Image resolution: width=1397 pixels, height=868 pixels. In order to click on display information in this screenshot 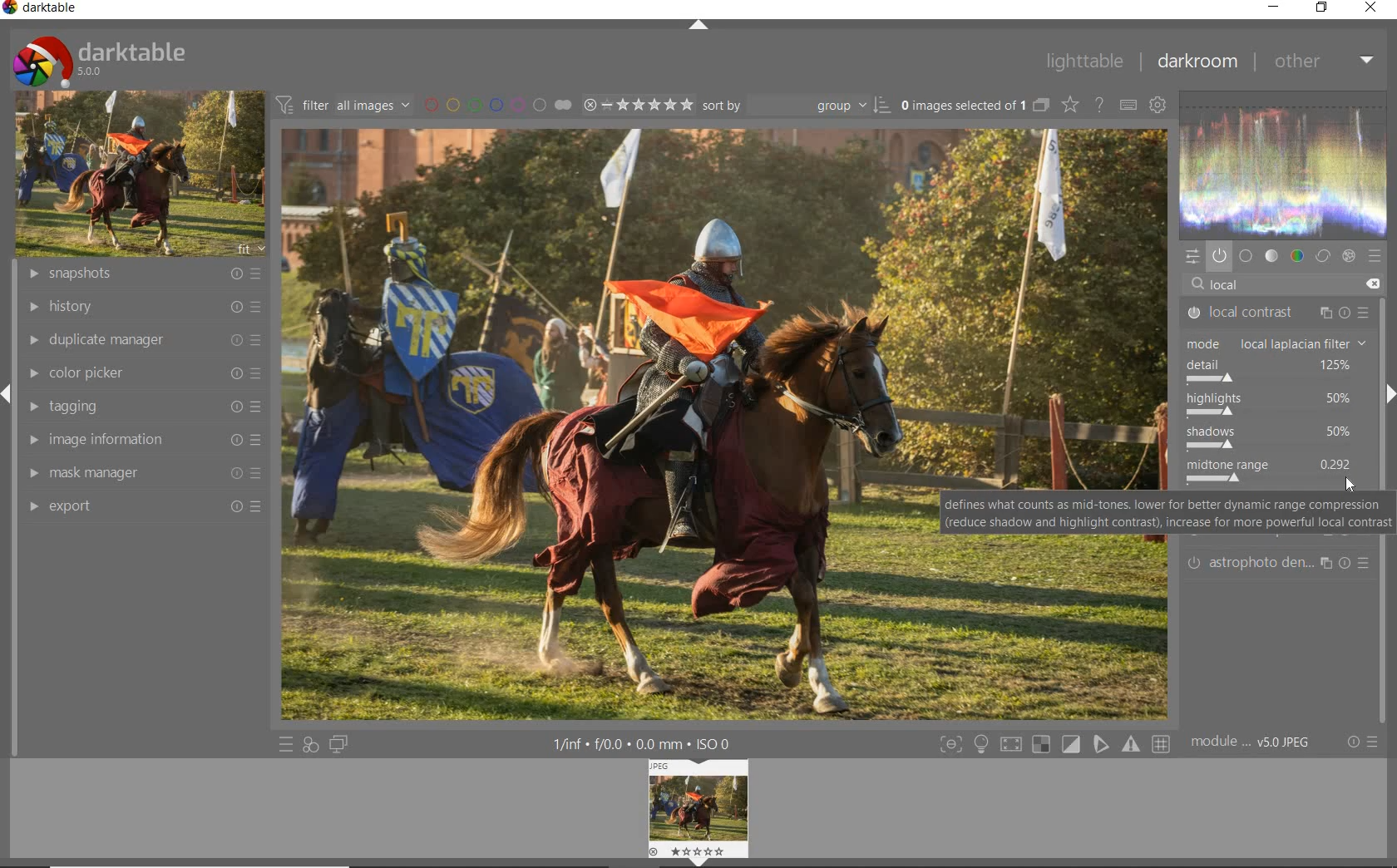, I will do `click(650, 743)`.